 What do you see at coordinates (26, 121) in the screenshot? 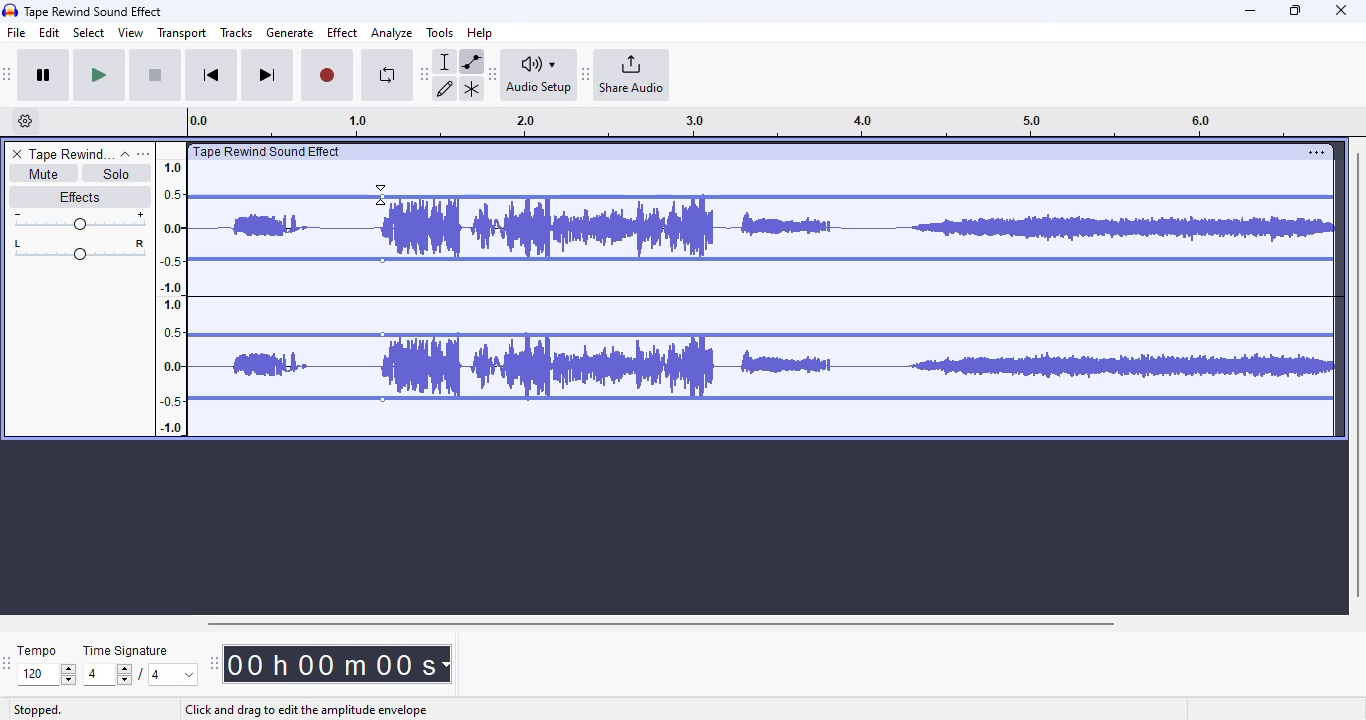
I see `timeline options` at bounding box center [26, 121].